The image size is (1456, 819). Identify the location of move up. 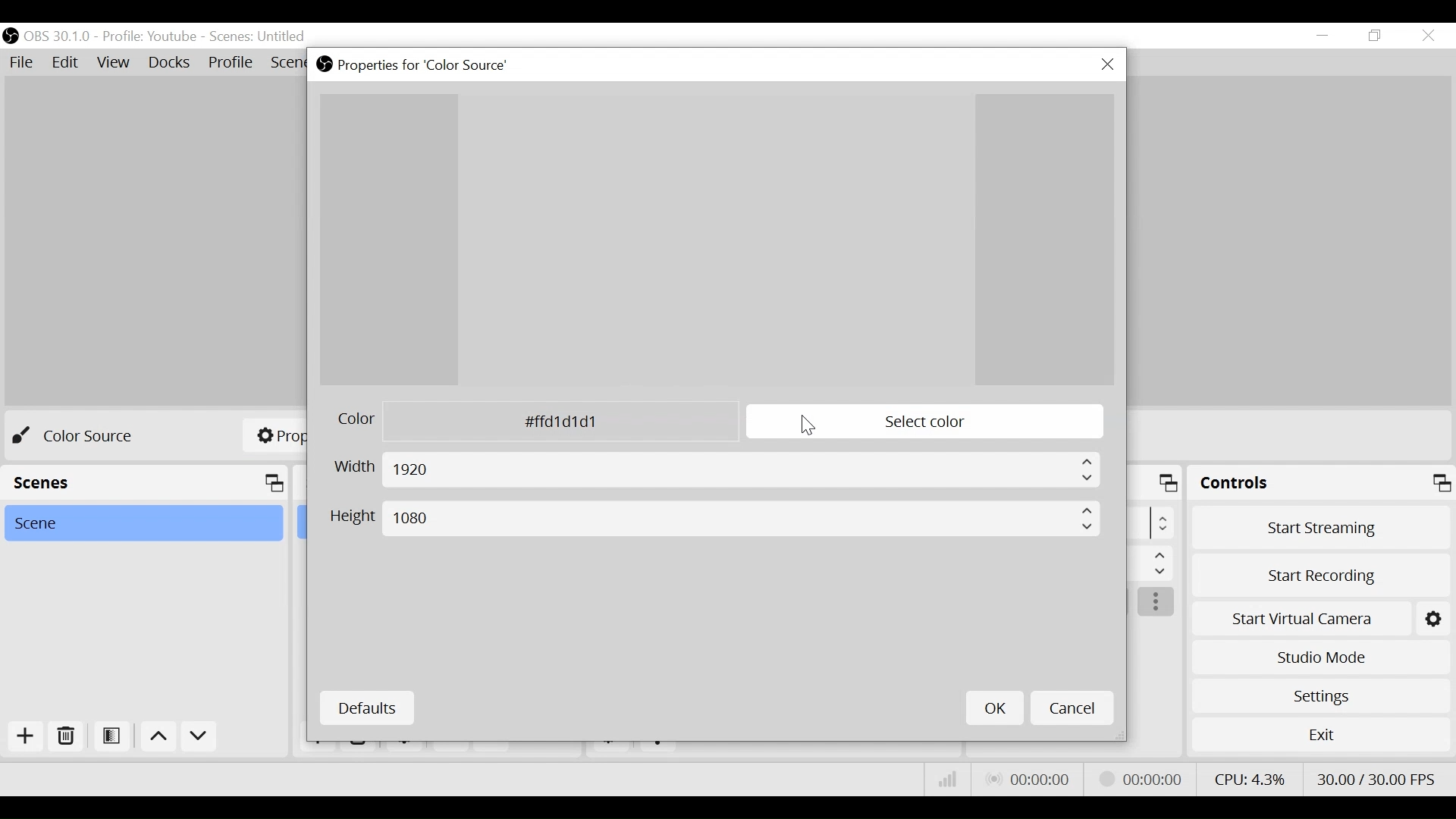
(157, 736).